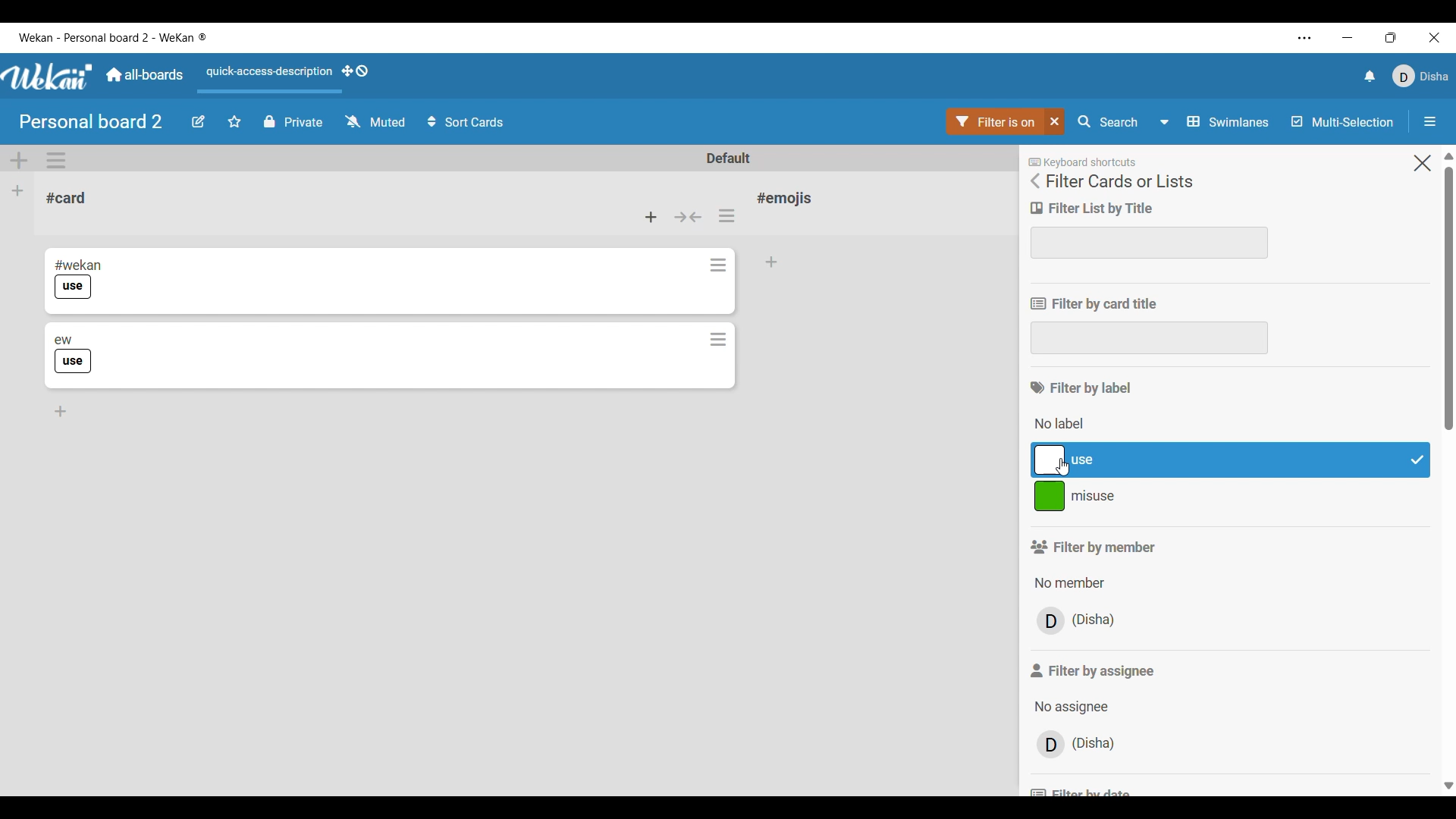  Describe the element at coordinates (1050, 745) in the screenshot. I see `avatar` at that location.